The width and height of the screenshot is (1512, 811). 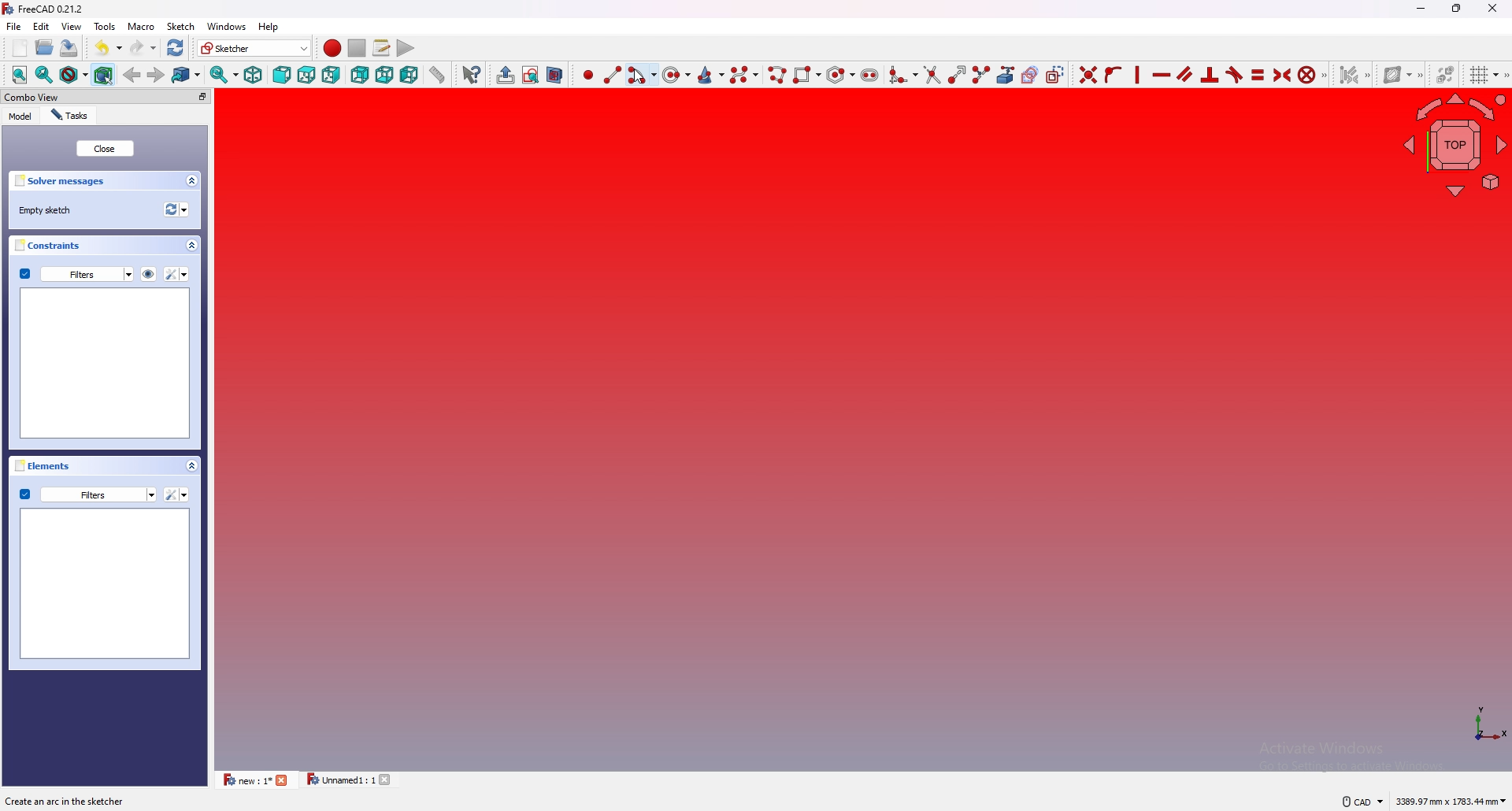 I want to click on record macro, so click(x=332, y=49).